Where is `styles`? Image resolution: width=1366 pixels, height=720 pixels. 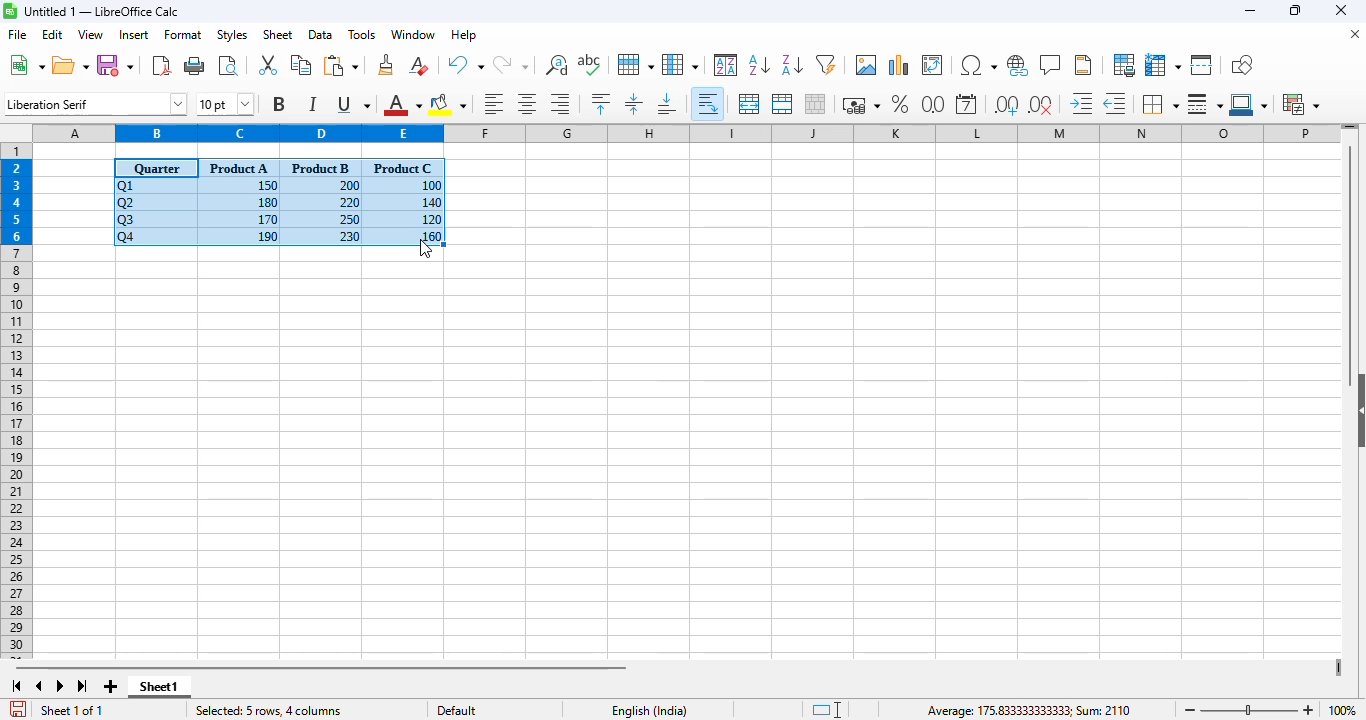
styles is located at coordinates (232, 35).